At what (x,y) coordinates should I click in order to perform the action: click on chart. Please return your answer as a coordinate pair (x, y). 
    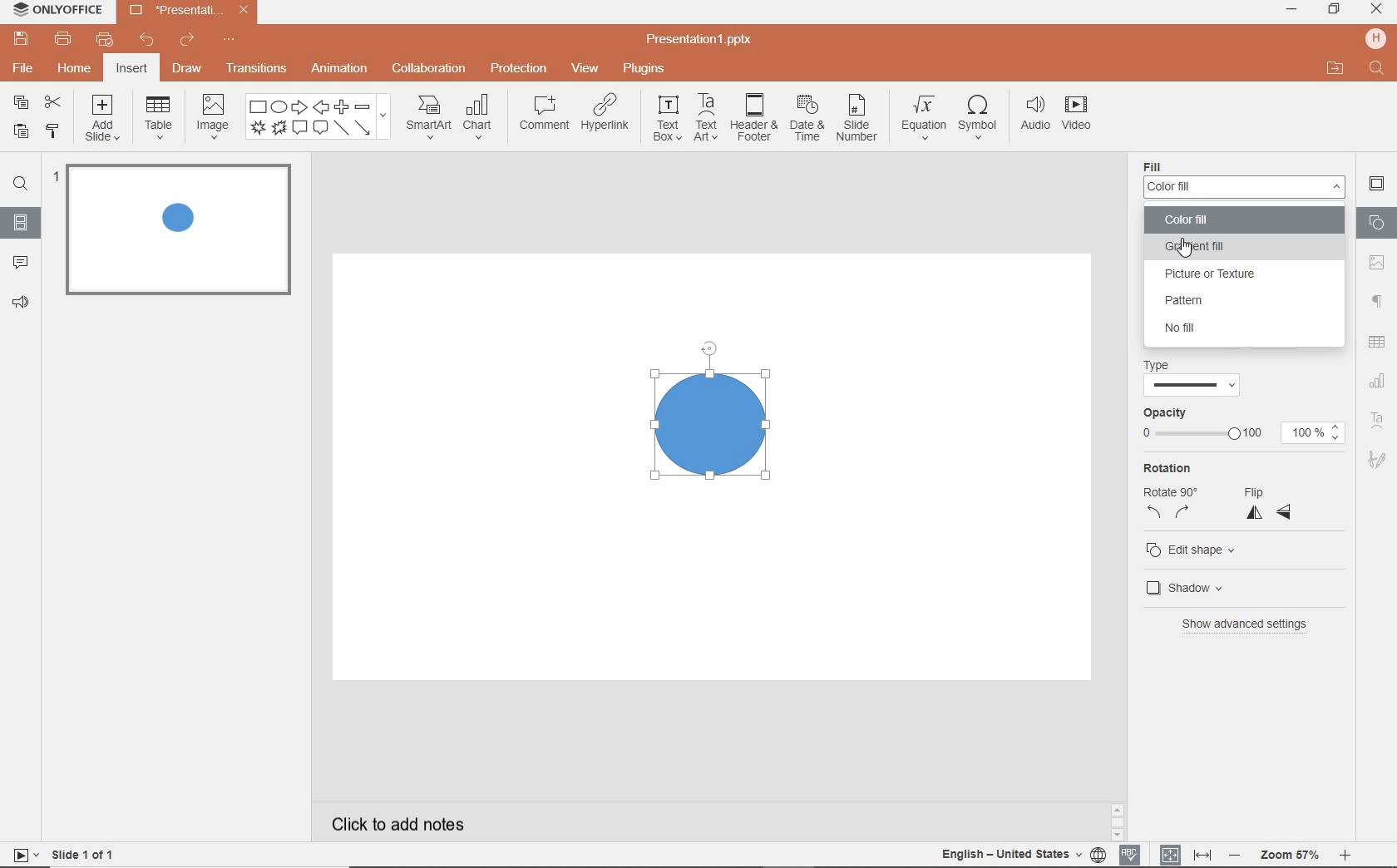
    Looking at the image, I should click on (479, 118).